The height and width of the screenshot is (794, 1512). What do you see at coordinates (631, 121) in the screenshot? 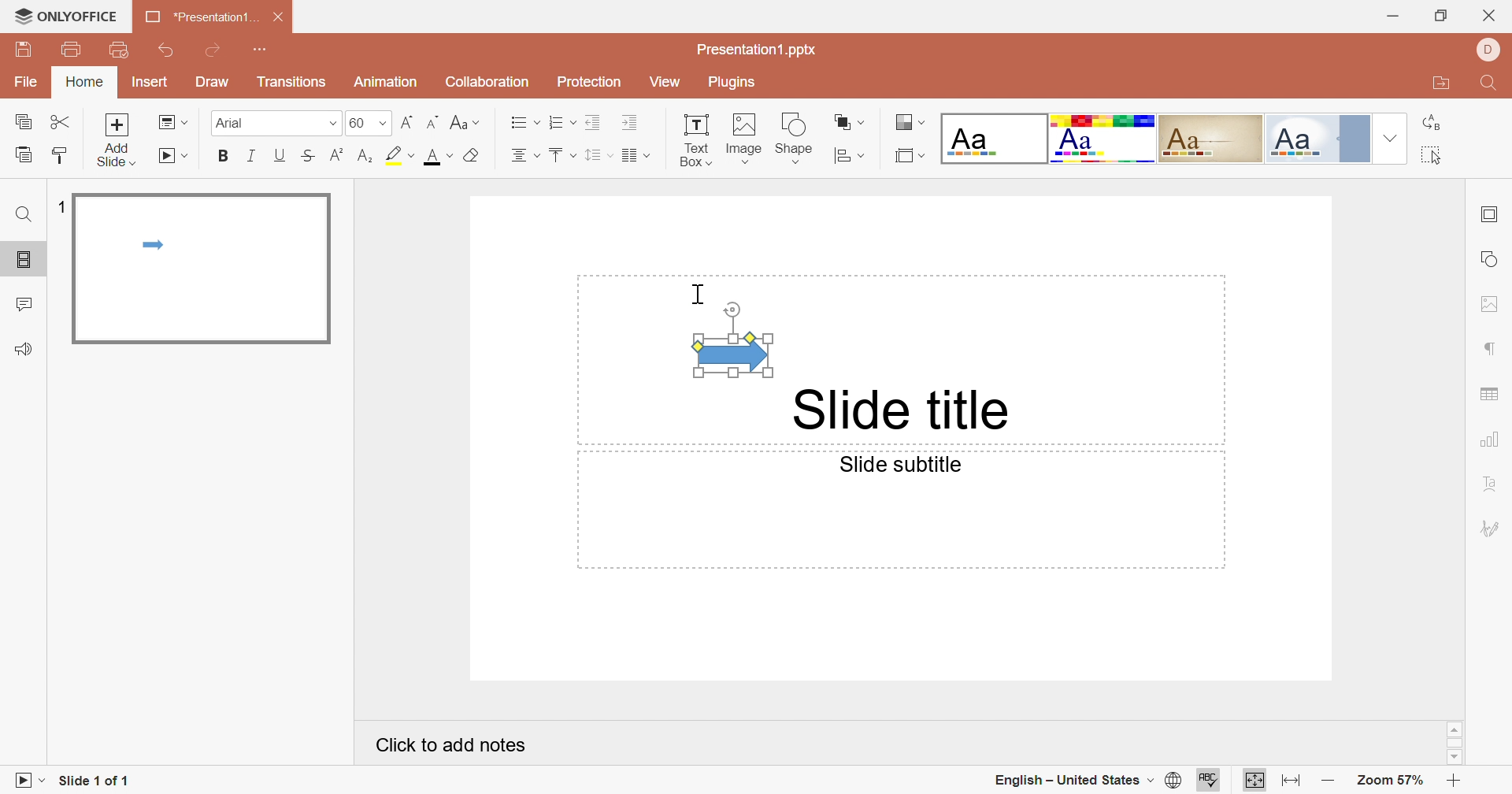
I see `Increase indent` at bounding box center [631, 121].